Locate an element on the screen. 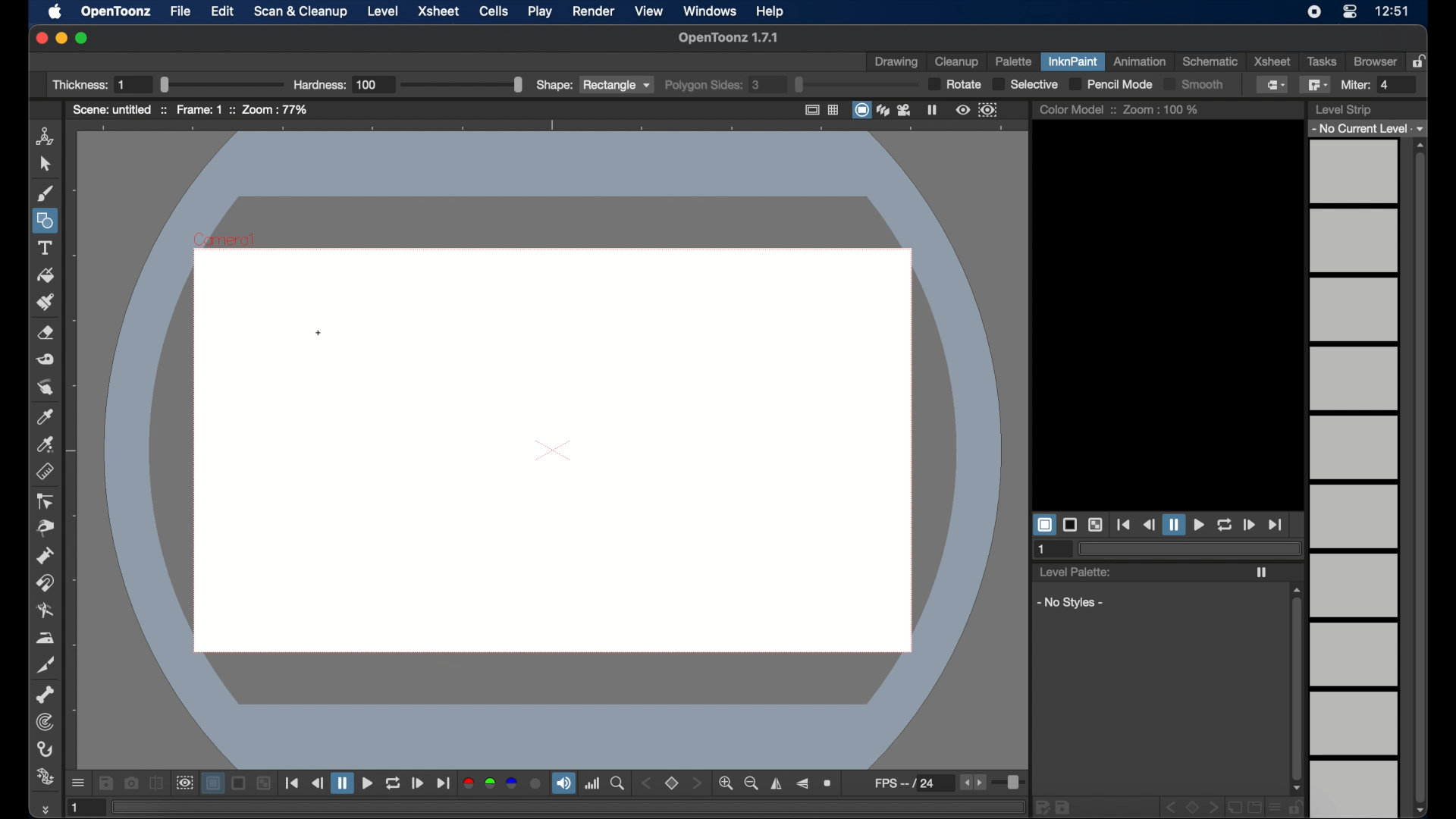 The image size is (1456, 819). stepper buttons is located at coordinates (972, 782).